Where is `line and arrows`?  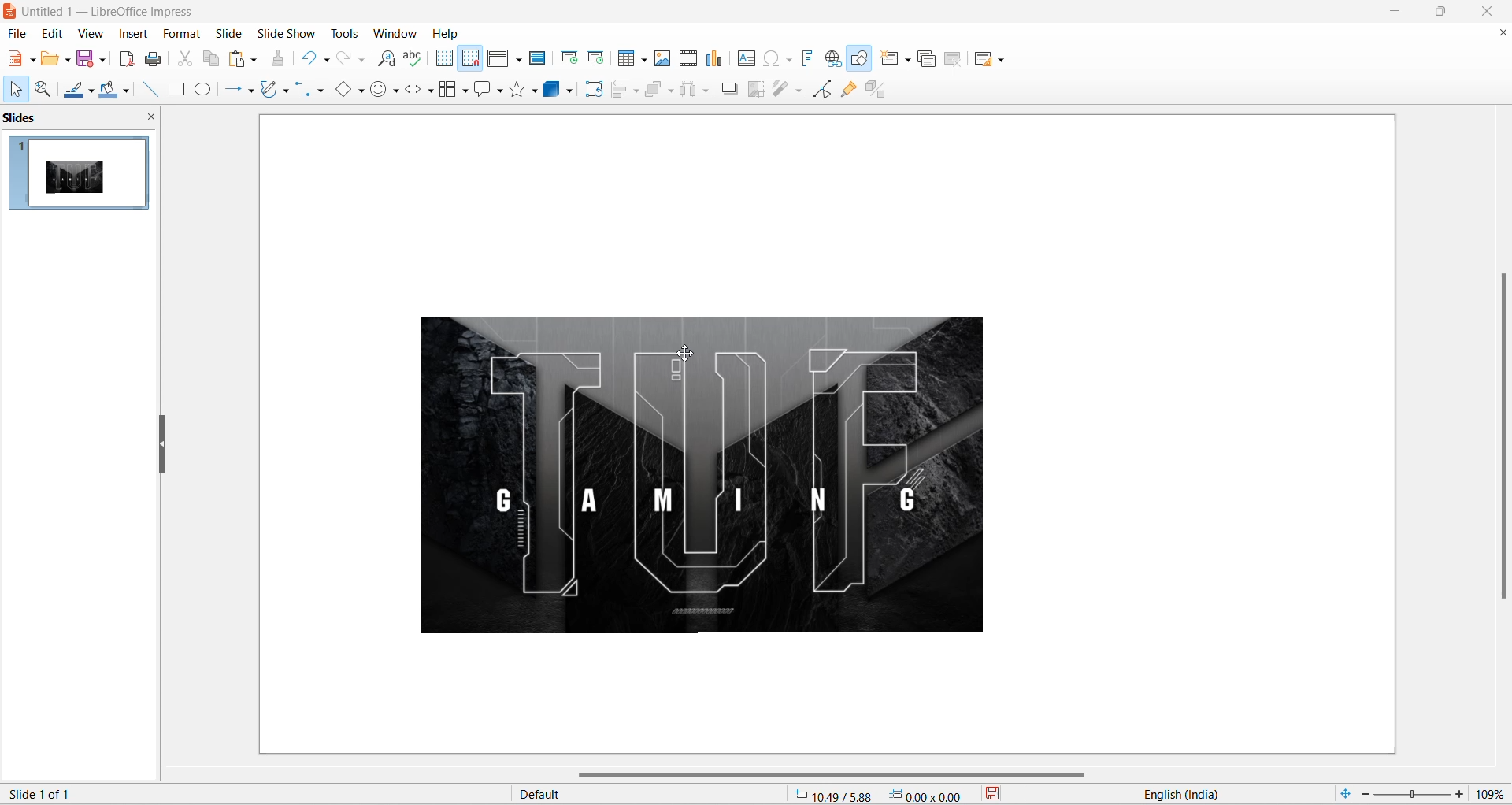 line and arrows is located at coordinates (230, 90).